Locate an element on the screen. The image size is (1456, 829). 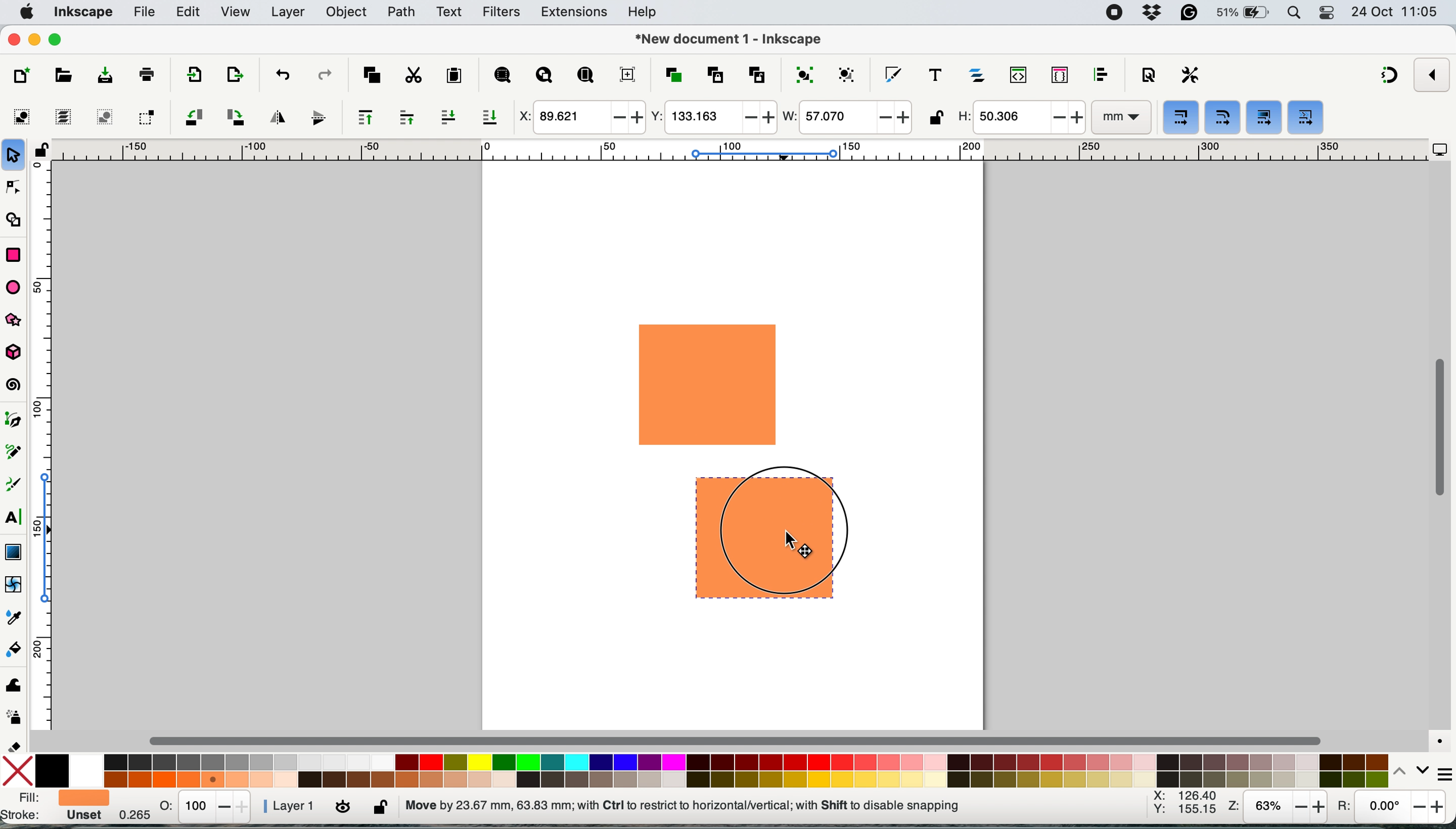
spray tool is located at coordinates (15, 717).